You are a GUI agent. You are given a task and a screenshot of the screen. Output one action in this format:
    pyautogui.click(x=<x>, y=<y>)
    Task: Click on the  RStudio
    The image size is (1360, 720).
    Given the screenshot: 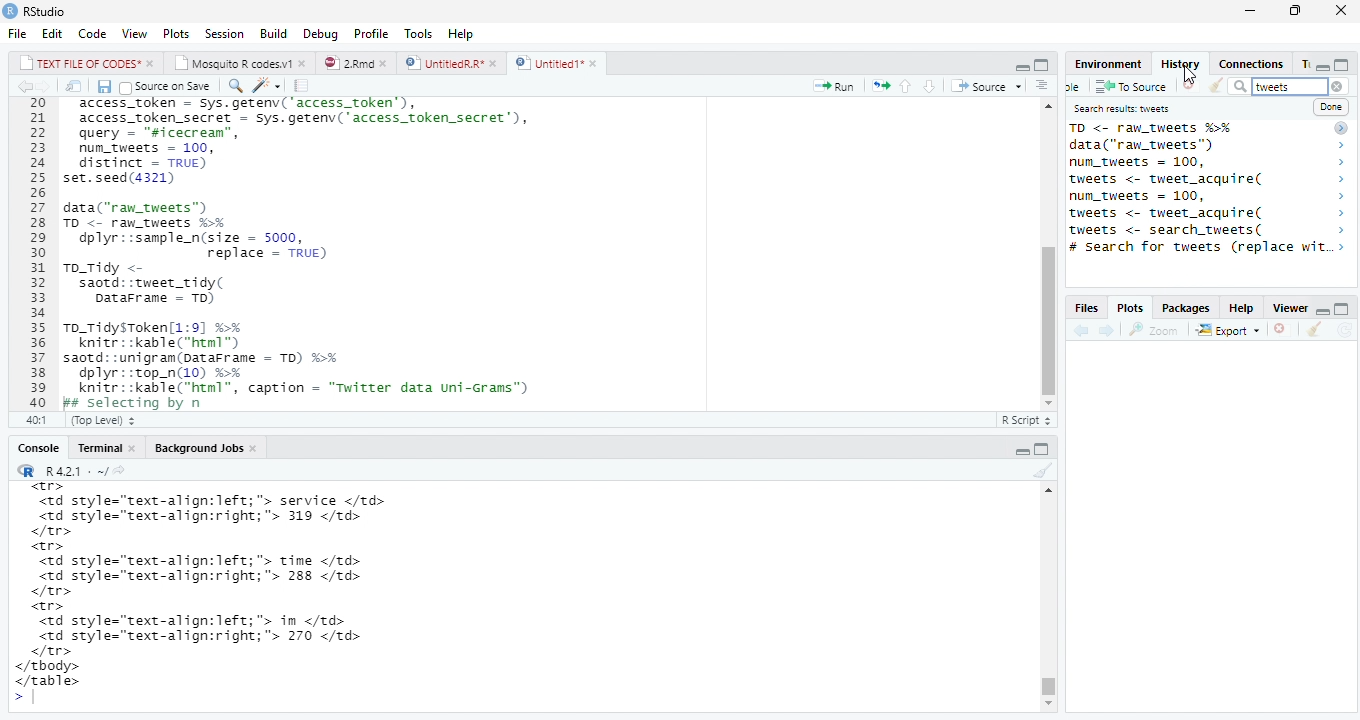 What is the action you would take?
    pyautogui.click(x=56, y=11)
    